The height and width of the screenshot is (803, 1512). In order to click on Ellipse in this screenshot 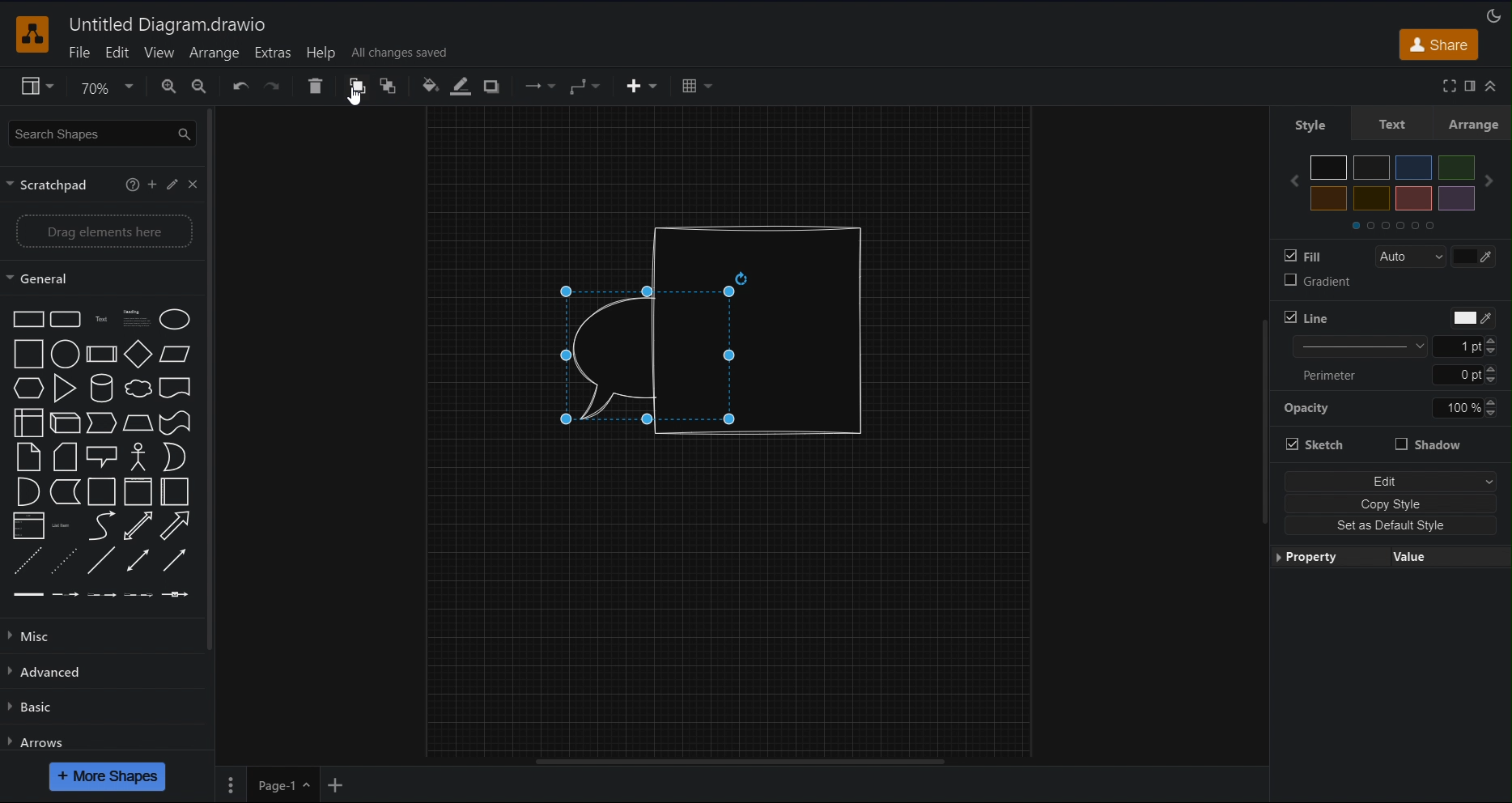, I will do `click(175, 320)`.